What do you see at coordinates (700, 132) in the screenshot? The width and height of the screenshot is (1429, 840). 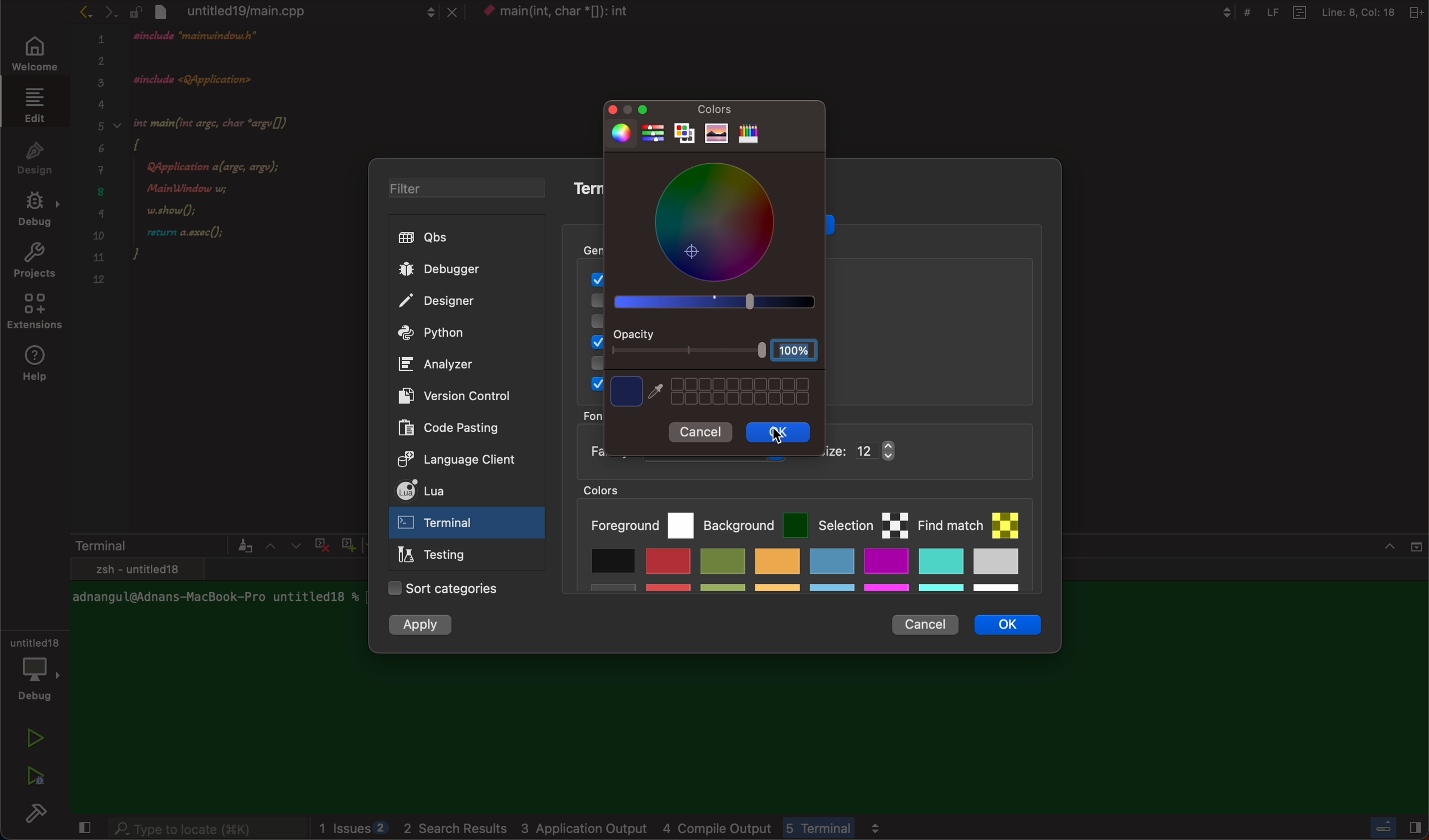 I see `color types` at bounding box center [700, 132].